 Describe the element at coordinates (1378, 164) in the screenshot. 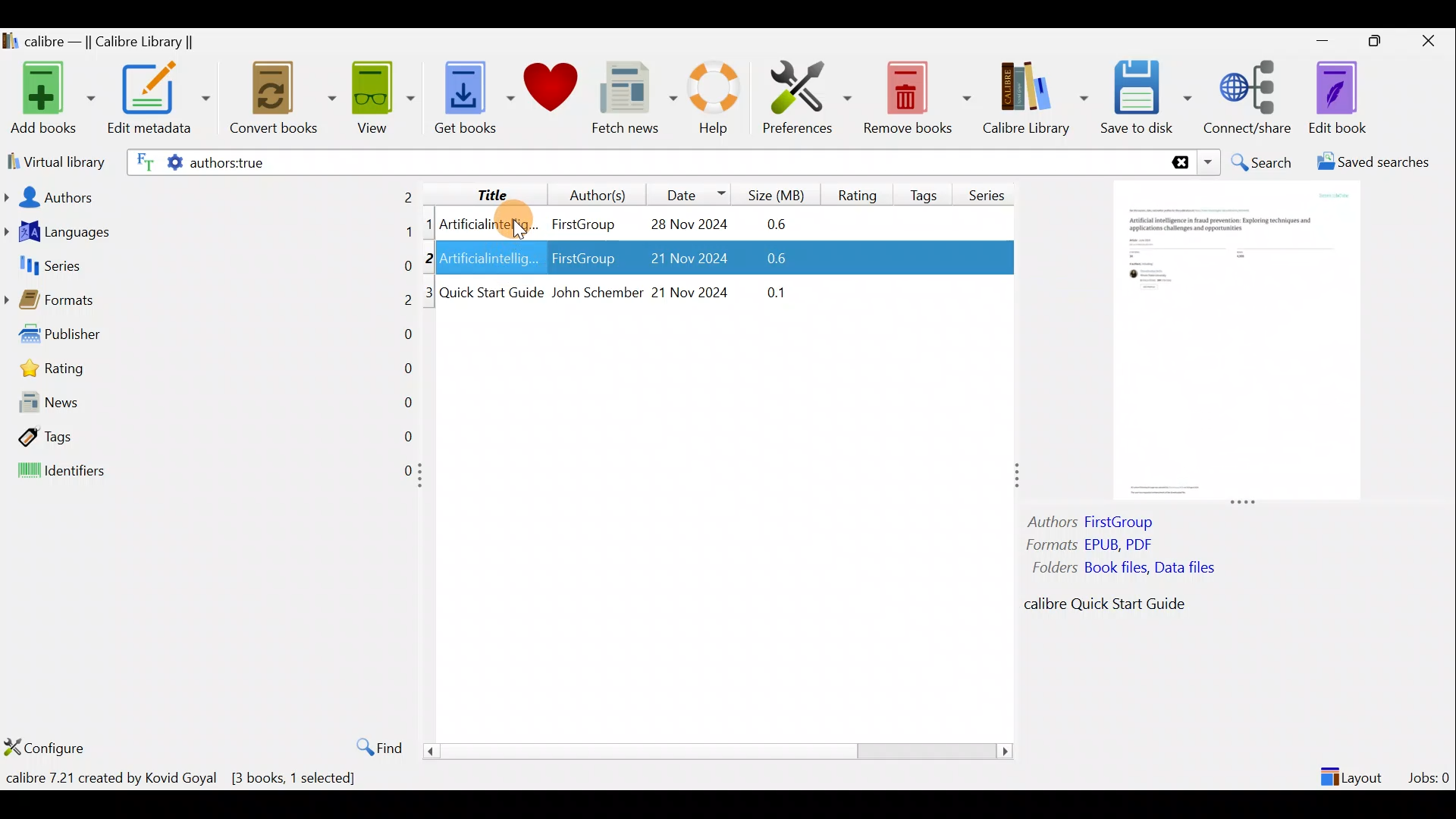

I see `Saved searches` at that location.